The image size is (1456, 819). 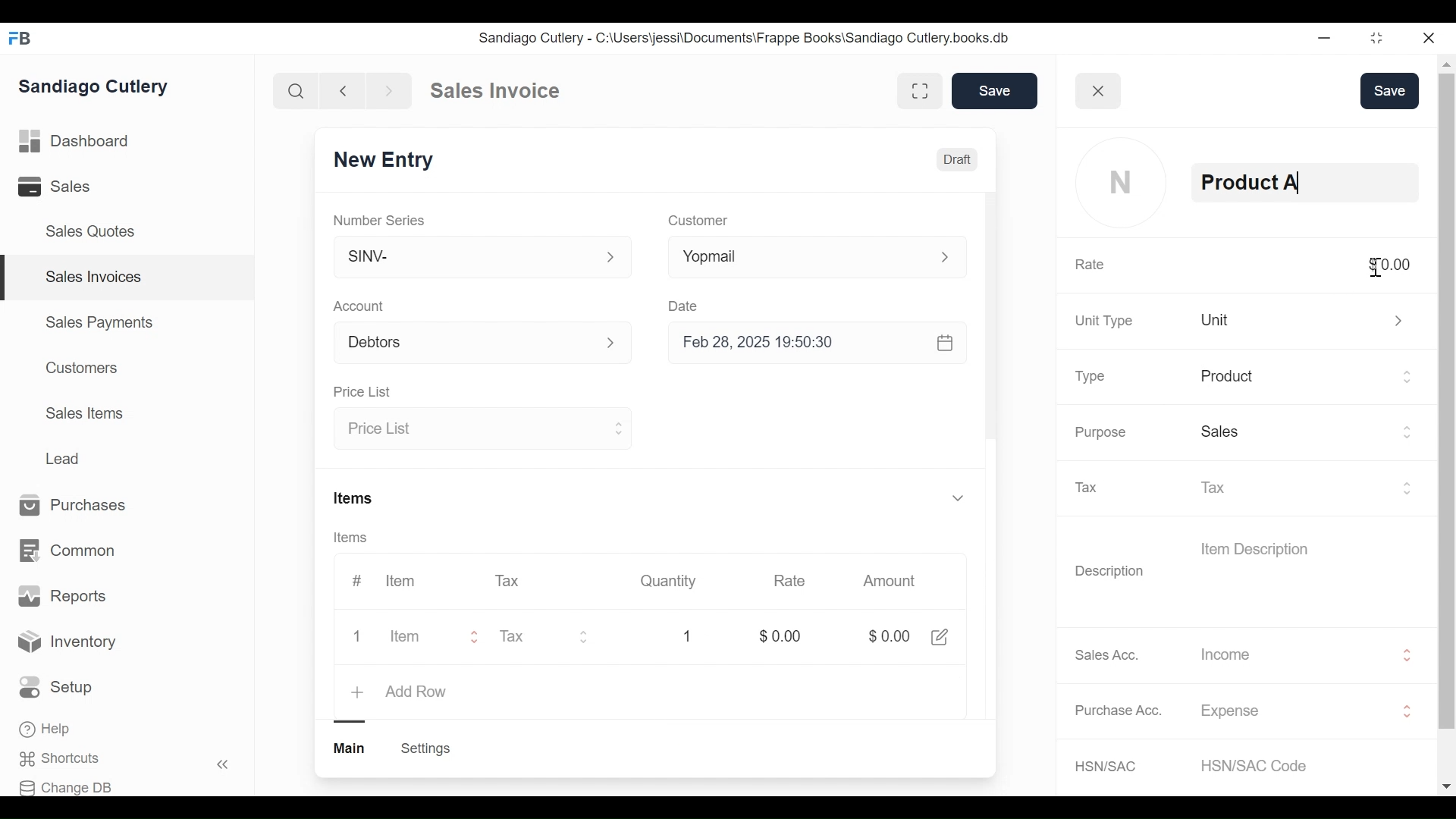 I want to click on Sandiago Cutlery, so click(x=98, y=86).